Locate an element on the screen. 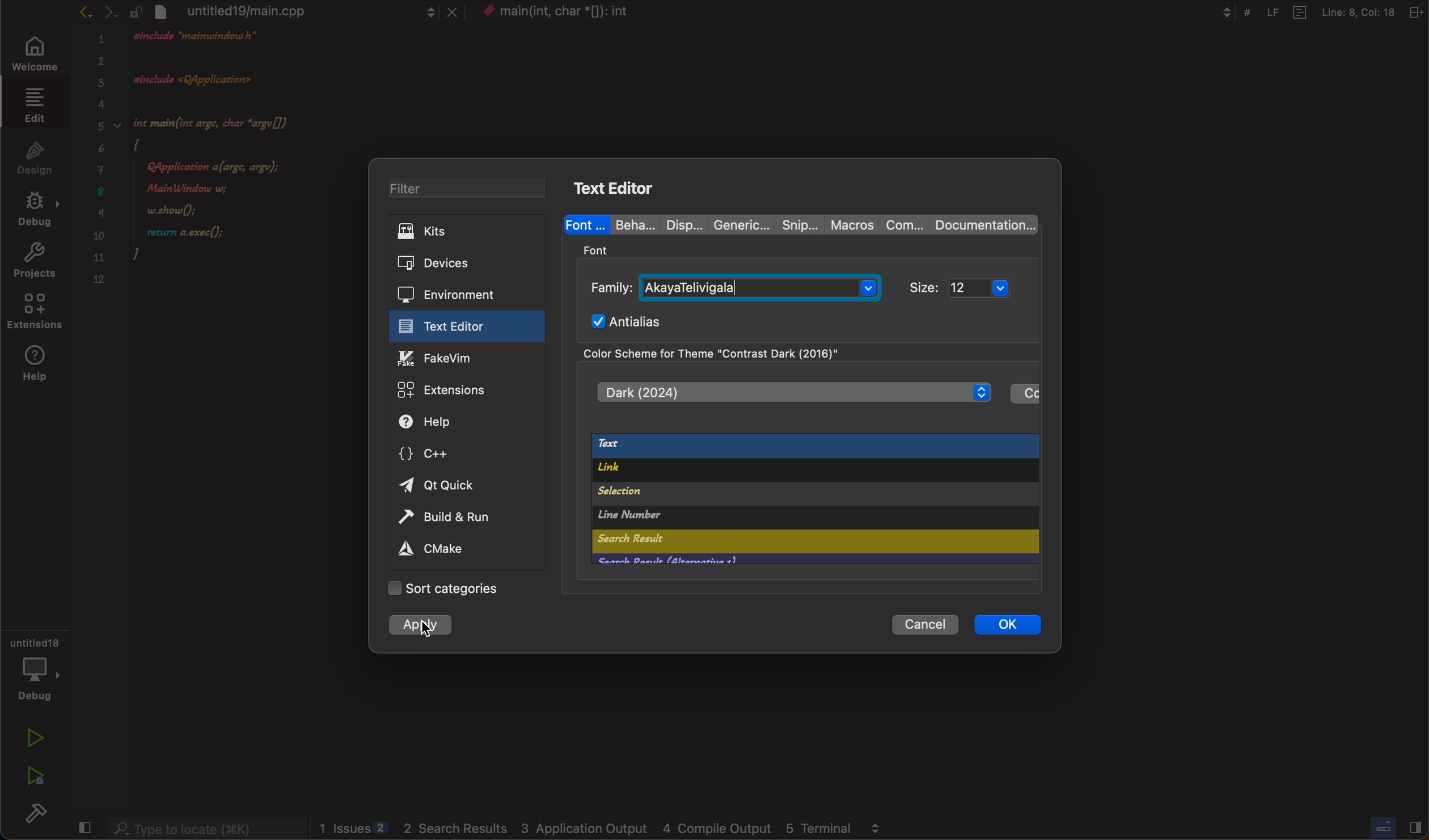 This screenshot has width=1429, height=840. close sidebar is located at coordinates (85, 828).